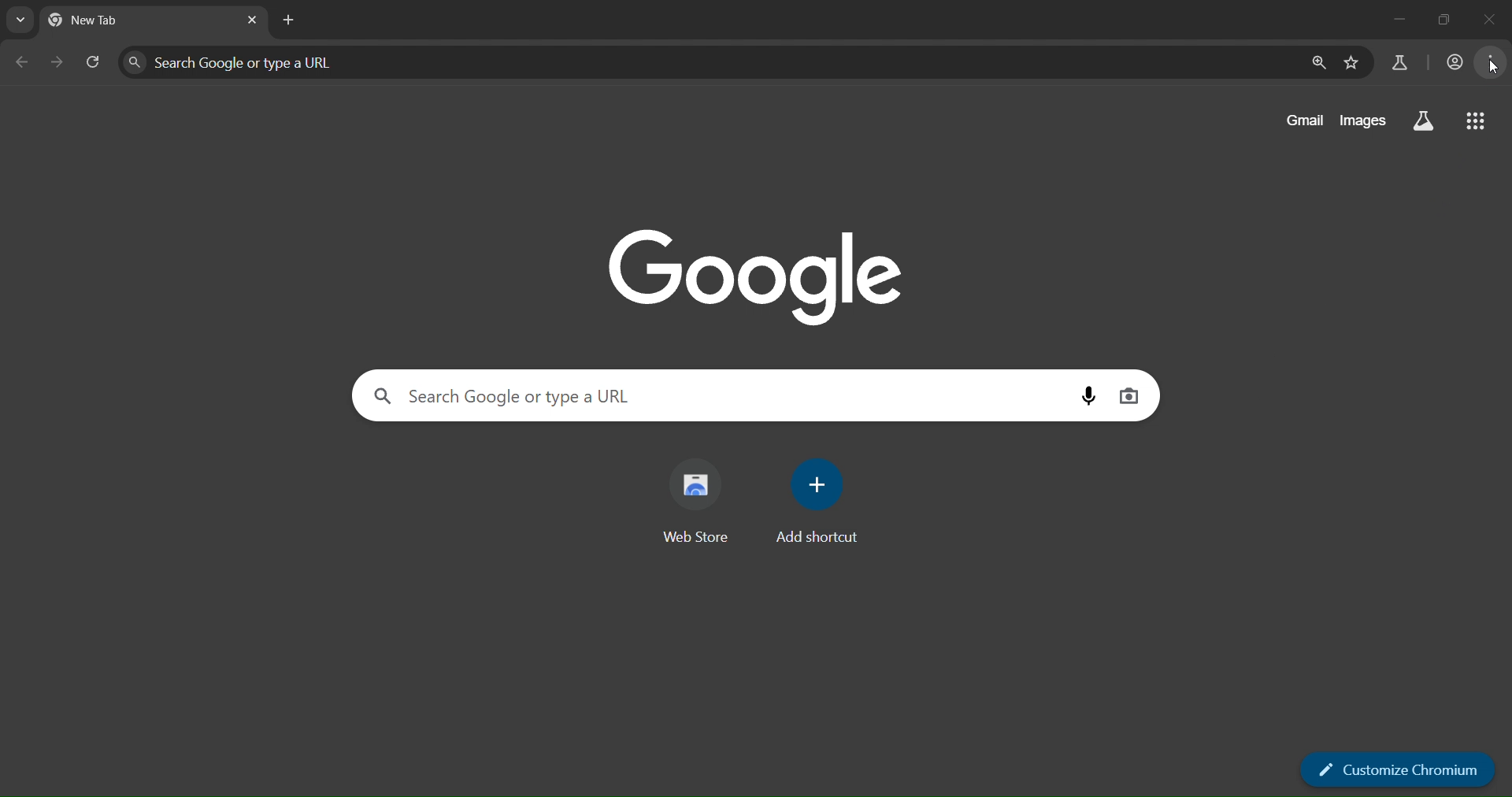 The width and height of the screenshot is (1512, 797). I want to click on web store, so click(696, 500).